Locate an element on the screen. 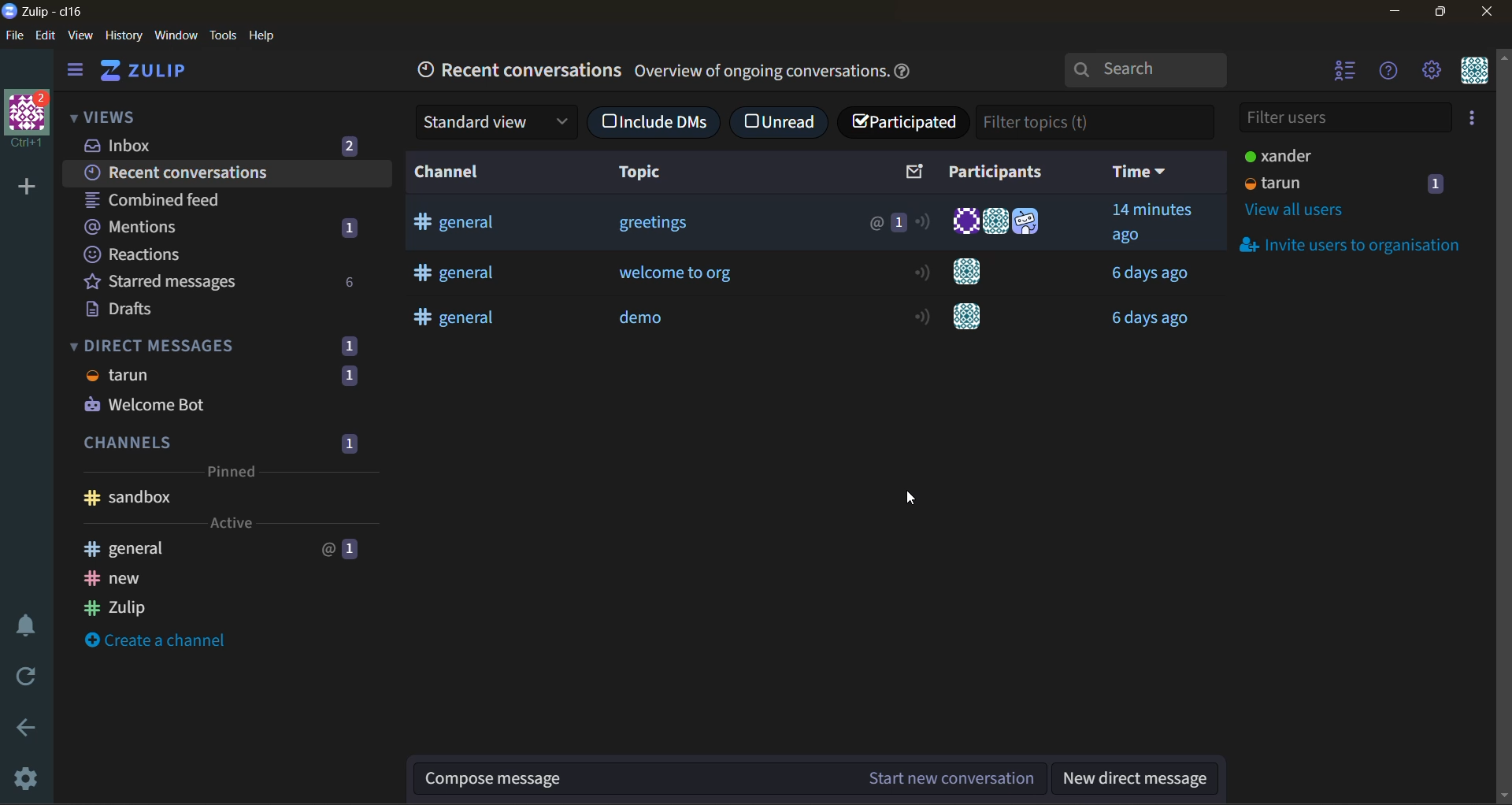 This screenshot has width=1512, height=805. direct messages is located at coordinates (223, 344).